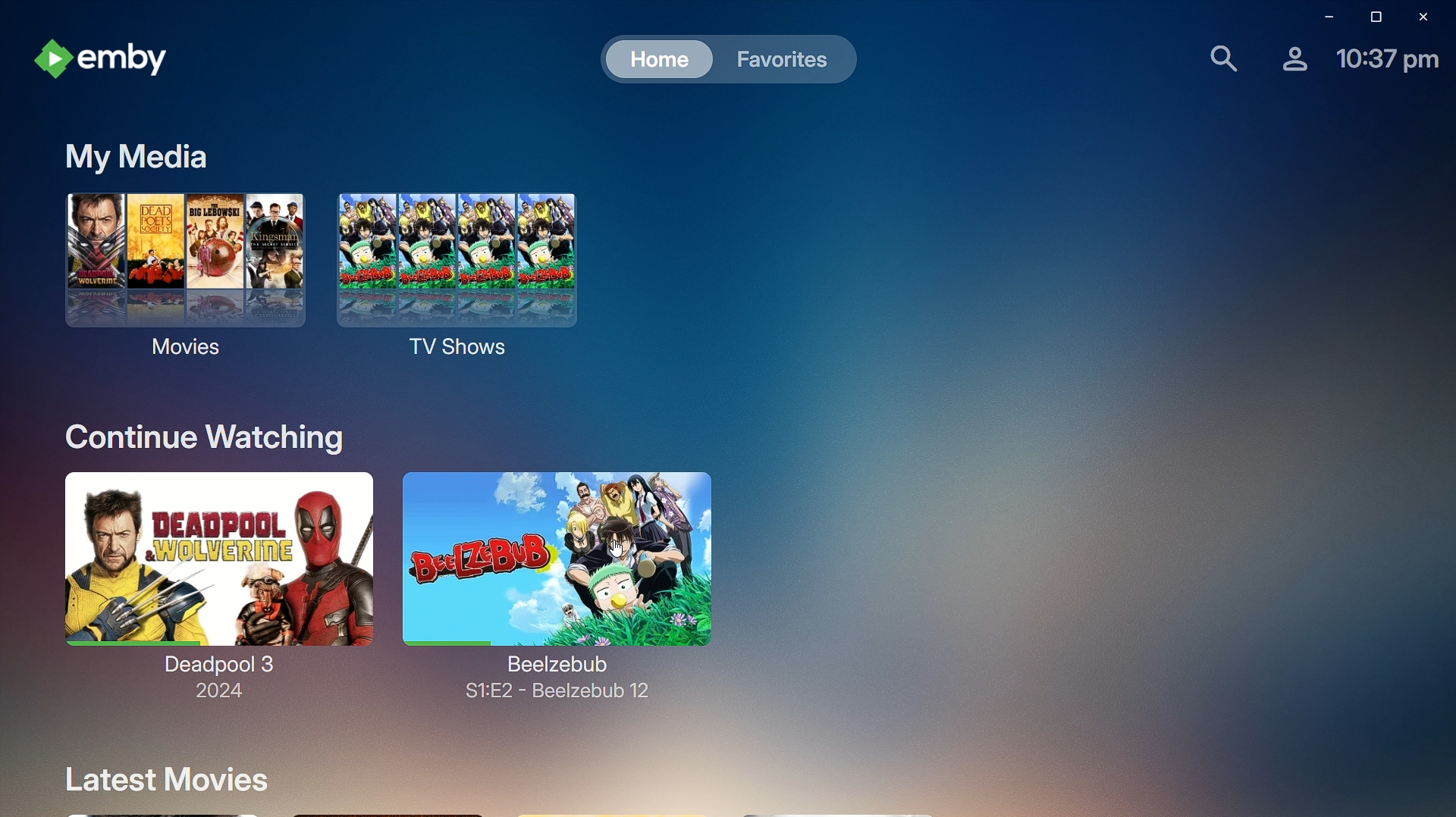 Image resolution: width=1456 pixels, height=817 pixels. Describe the element at coordinates (109, 62) in the screenshot. I see `emby` at that location.